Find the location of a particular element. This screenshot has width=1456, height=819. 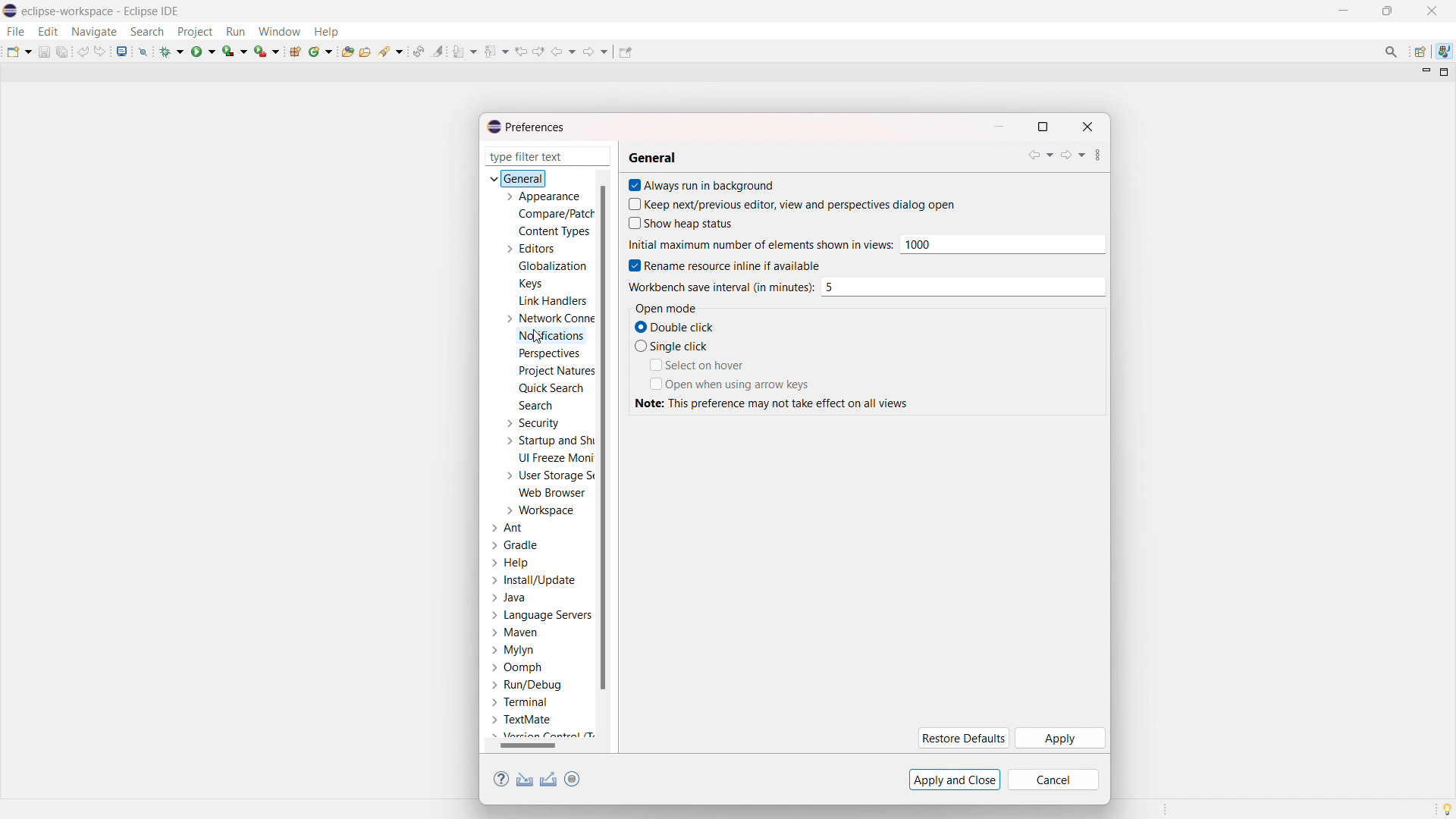

scrollbar is located at coordinates (538, 745).